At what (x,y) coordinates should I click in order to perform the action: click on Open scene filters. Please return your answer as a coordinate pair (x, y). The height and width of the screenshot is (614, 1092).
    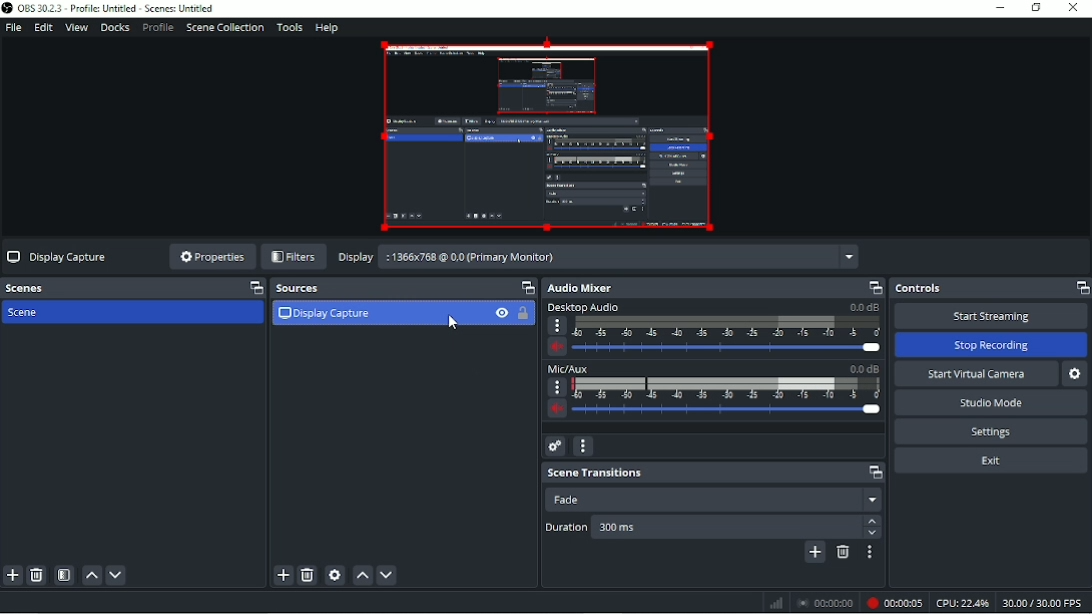
    Looking at the image, I should click on (63, 576).